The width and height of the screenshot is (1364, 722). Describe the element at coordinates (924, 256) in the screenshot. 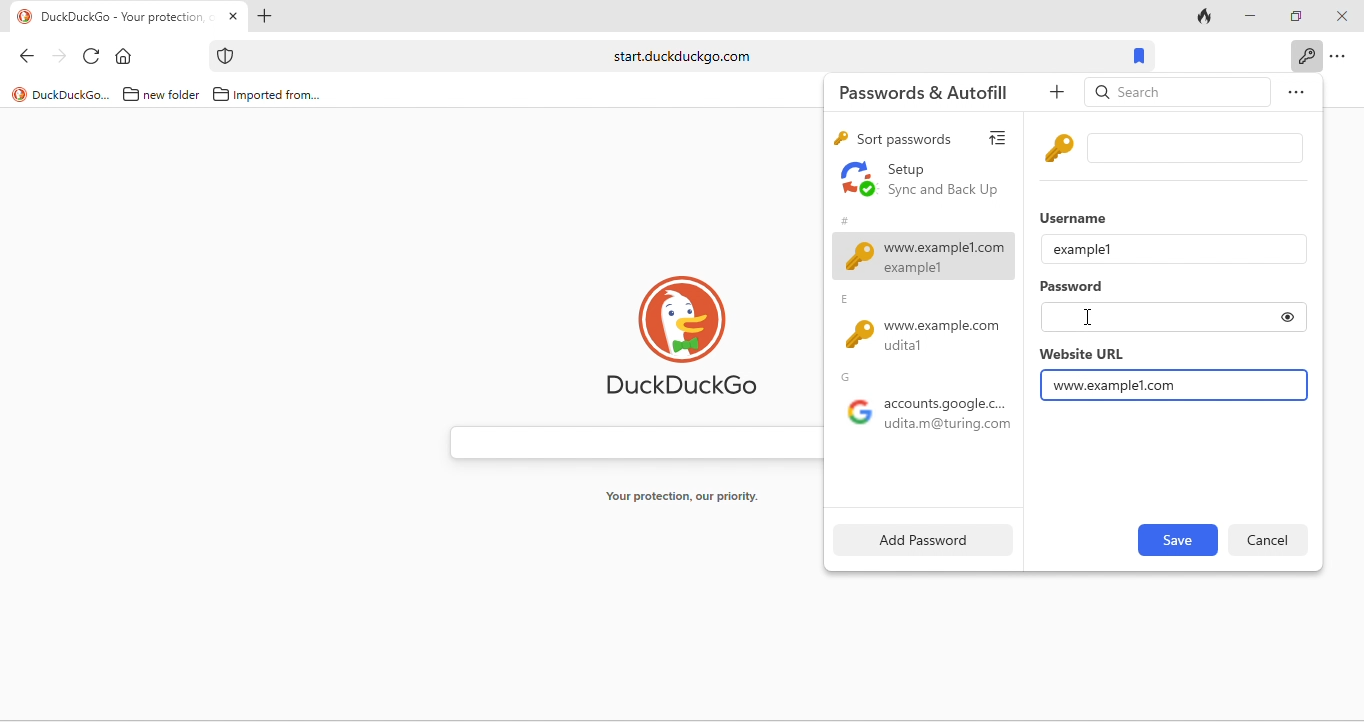

I see `www.example1.com` at that location.